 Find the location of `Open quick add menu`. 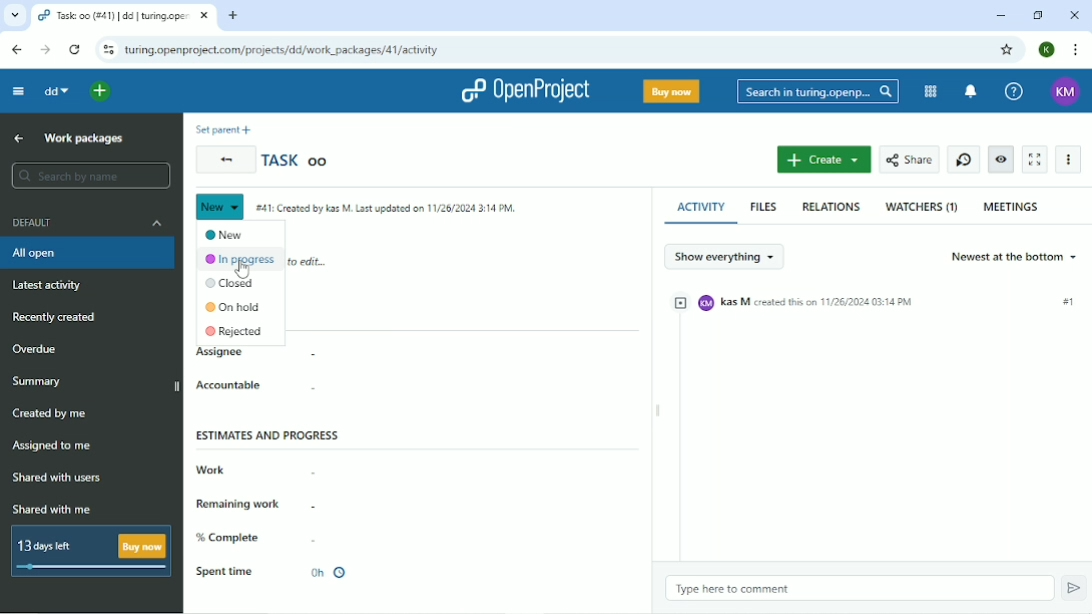

Open quick add menu is located at coordinates (100, 92).